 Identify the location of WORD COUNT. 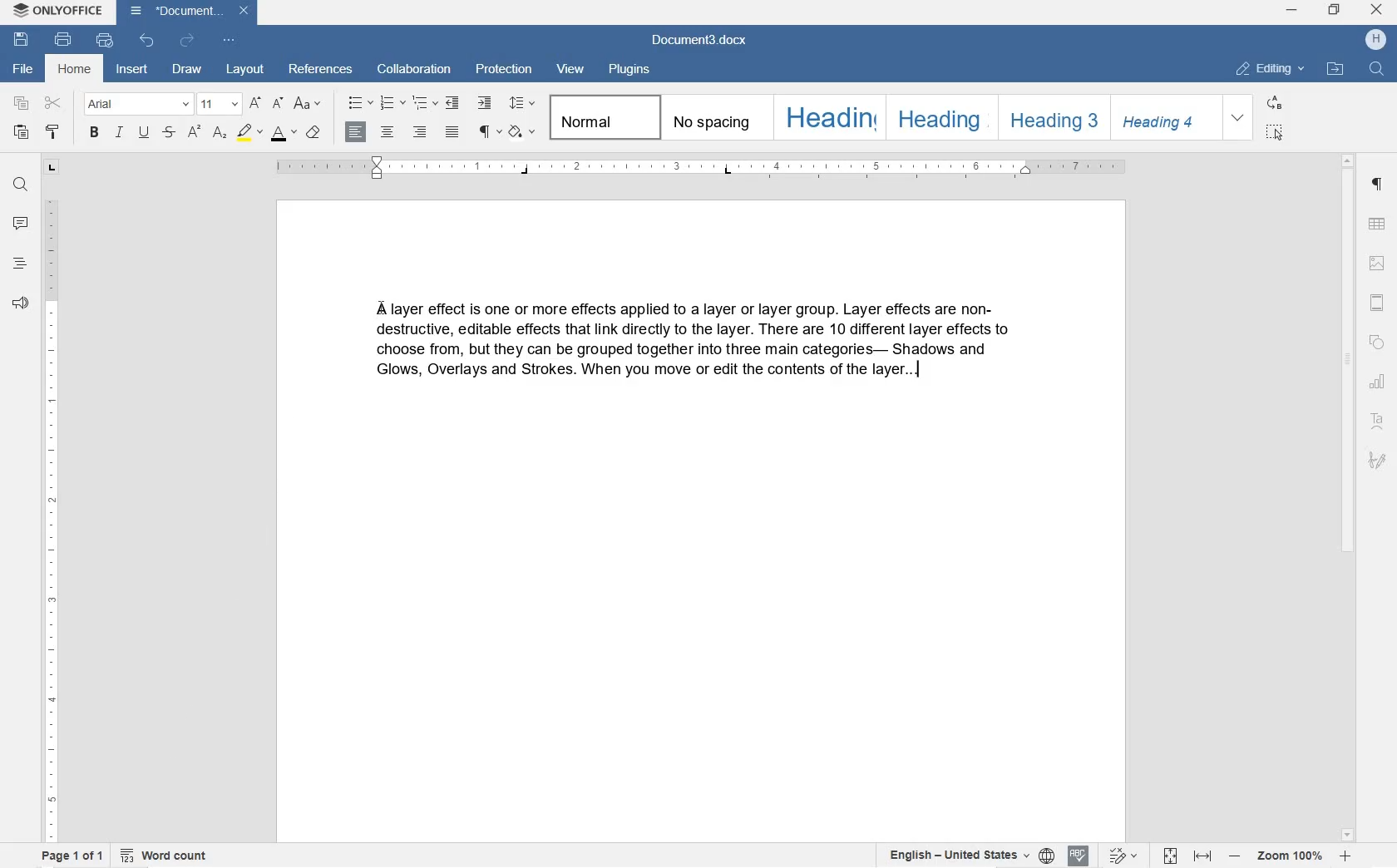
(161, 856).